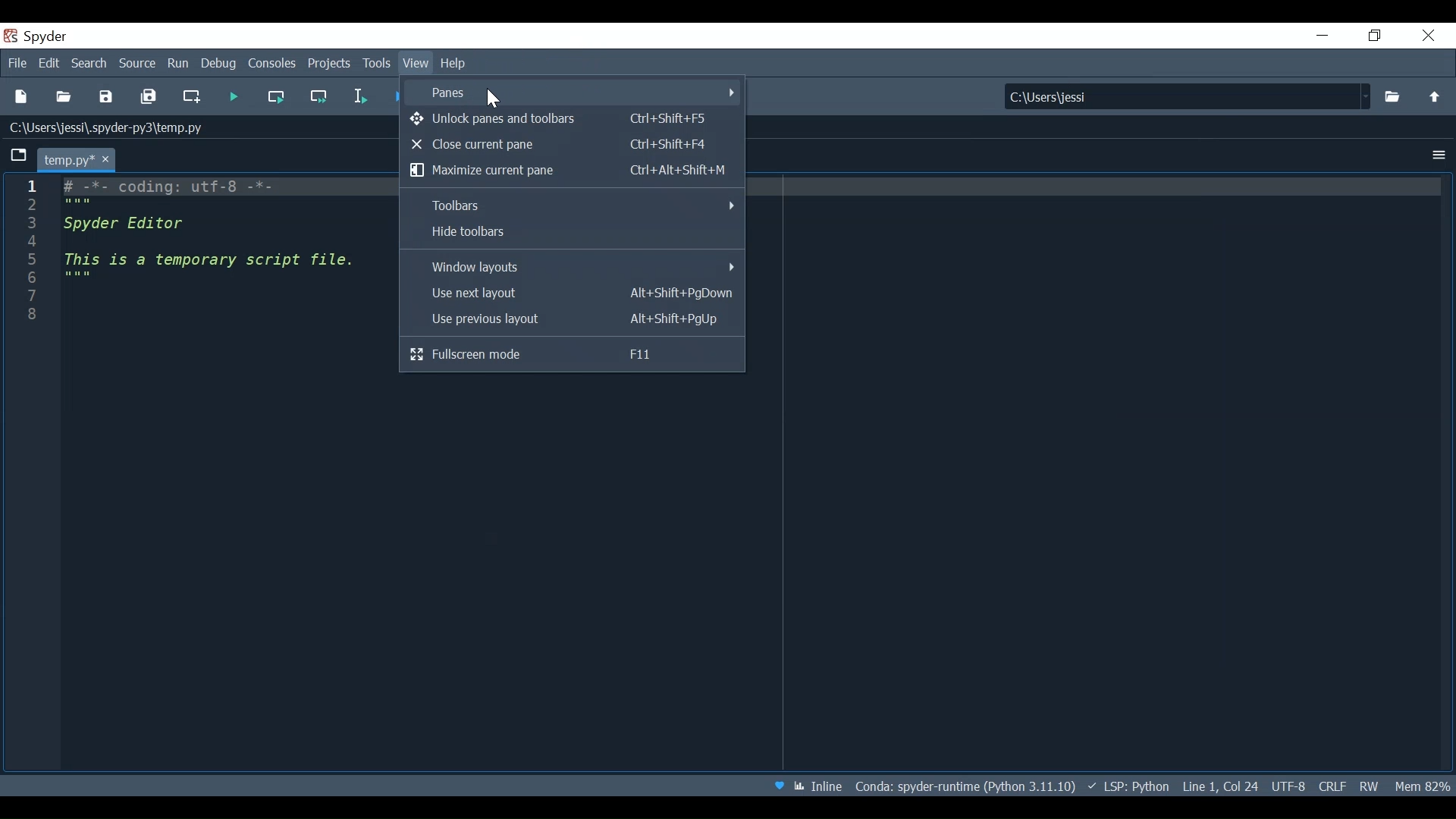 This screenshot has width=1456, height=819. What do you see at coordinates (573, 206) in the screenshot?
I see `Toolbar` at bounding box center [573, 206].